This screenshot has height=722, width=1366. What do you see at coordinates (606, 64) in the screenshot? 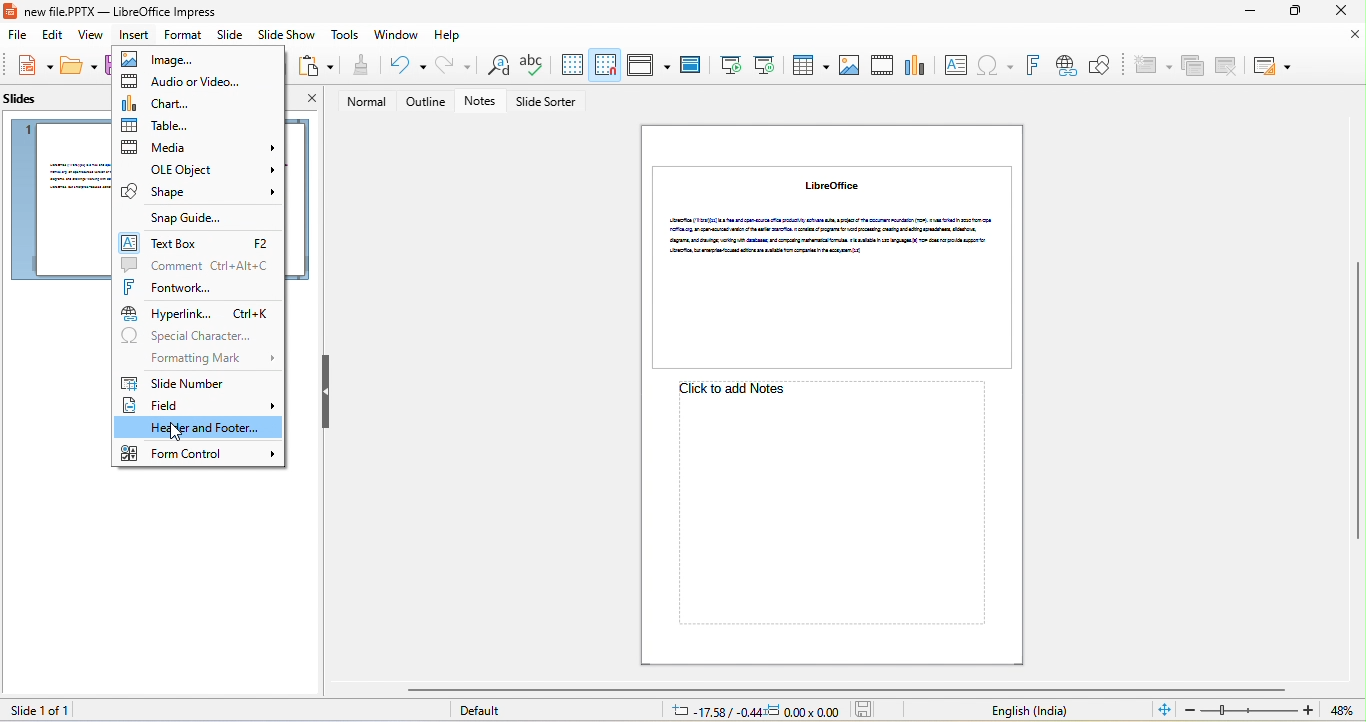
I see `snap to grid` at bounding box center [606, 64].